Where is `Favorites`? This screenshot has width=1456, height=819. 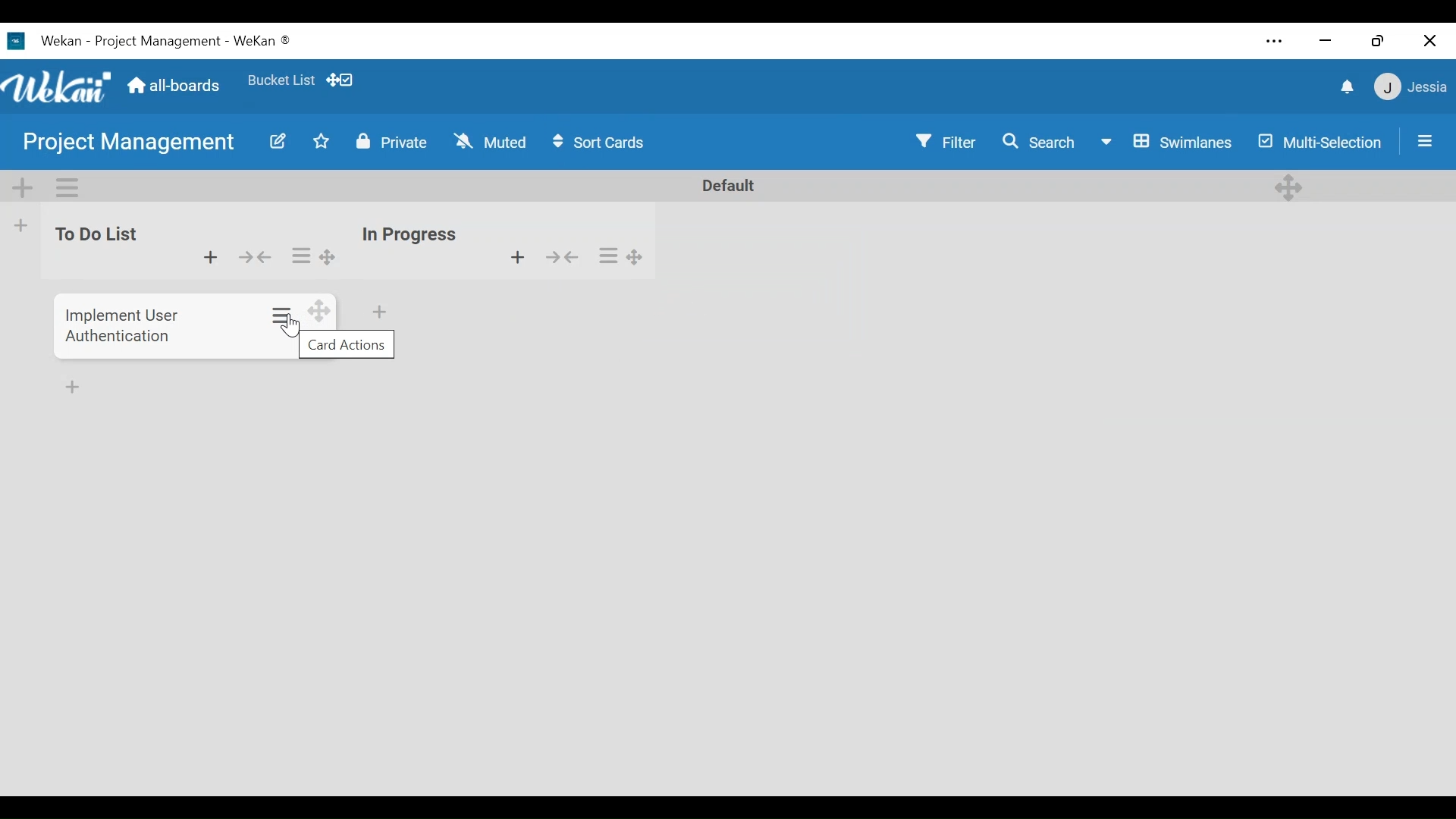 Favorites is located at coordinates (283, 82).